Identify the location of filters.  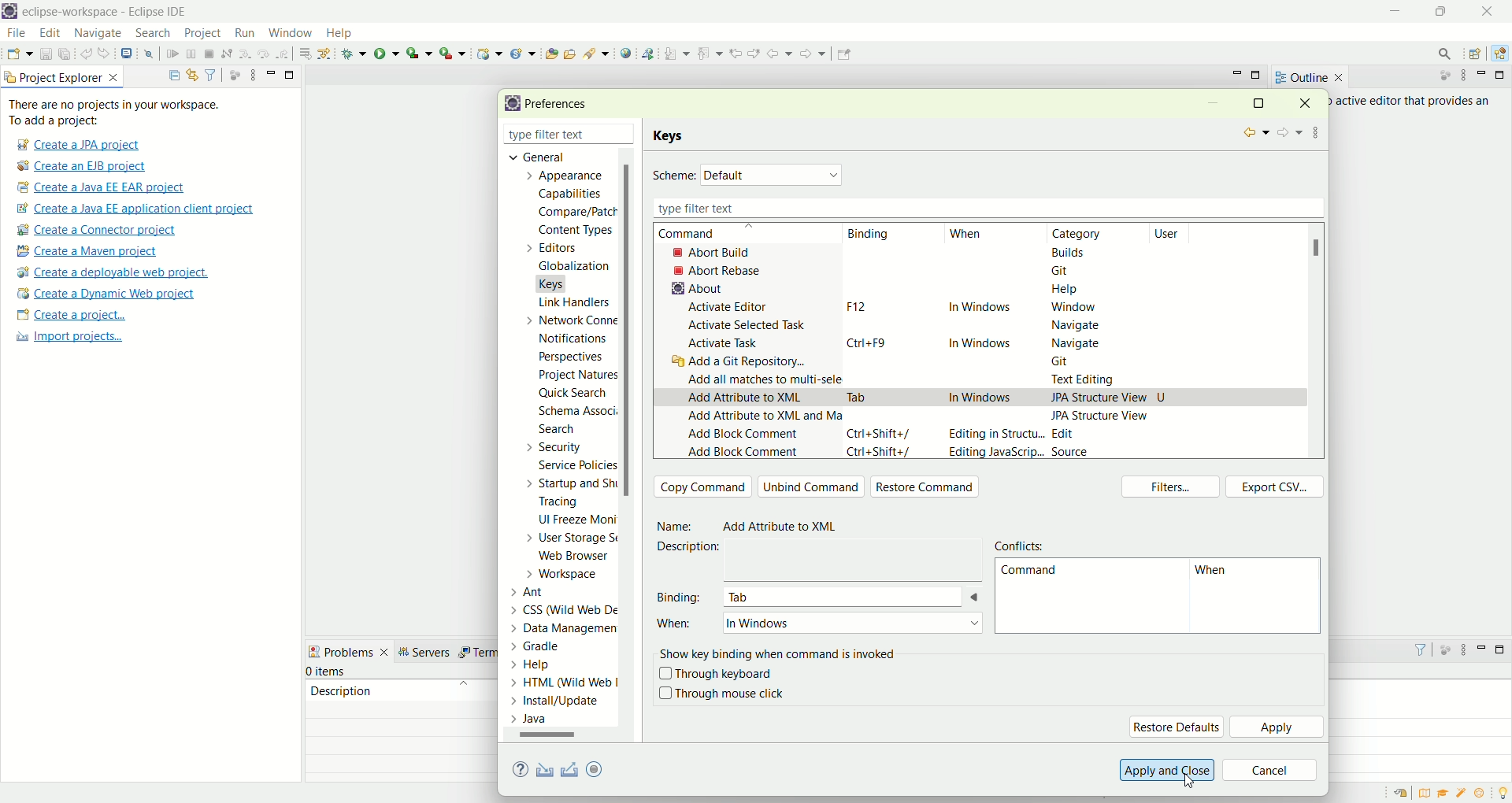
(1174, 488).